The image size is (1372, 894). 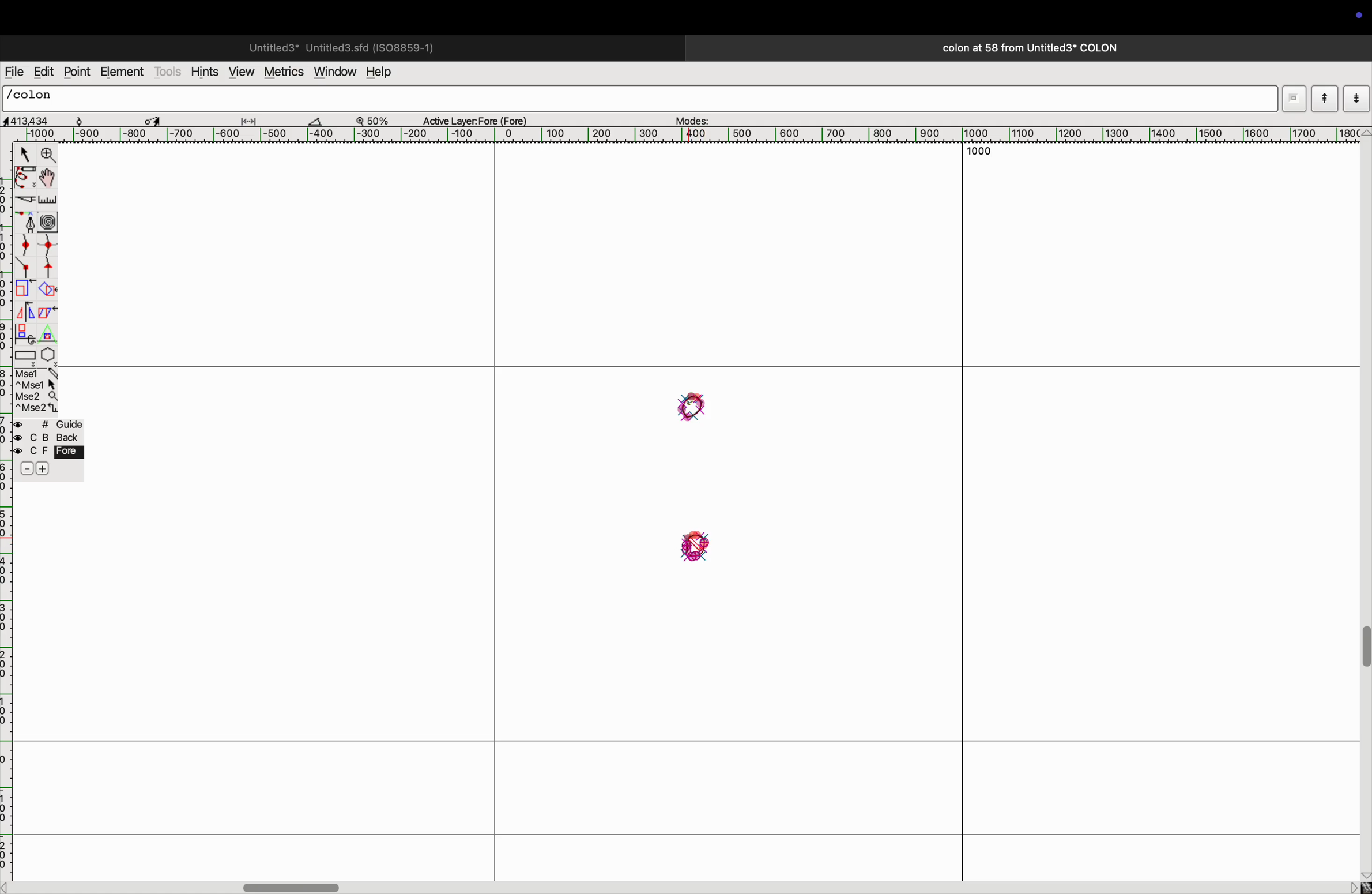 What do you see at coordinates (35, 390) in the screenshot?
I see `mse ` at bounding box center [35, 390].